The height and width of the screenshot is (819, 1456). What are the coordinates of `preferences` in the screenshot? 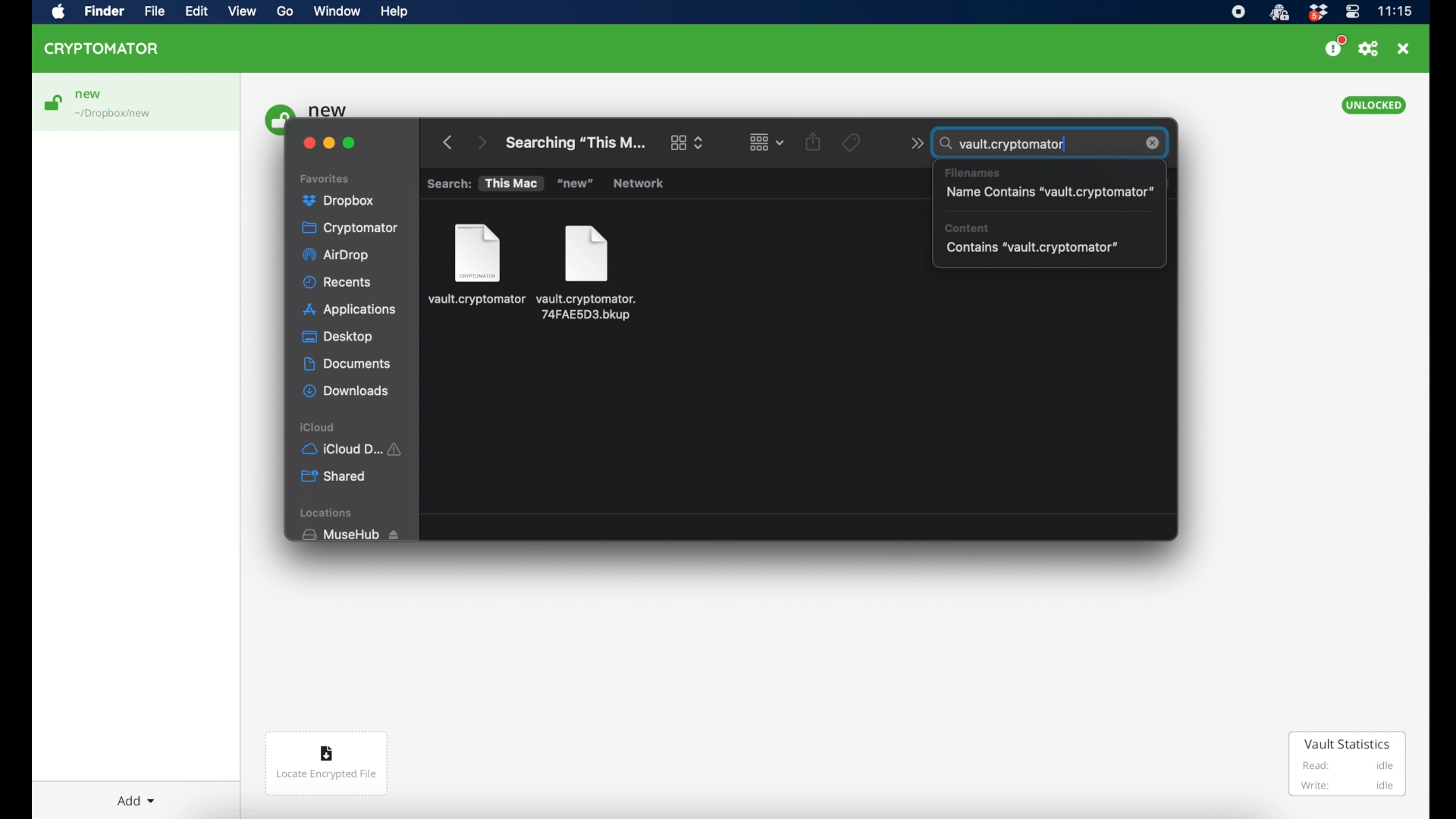 It's located at (1369, 49).